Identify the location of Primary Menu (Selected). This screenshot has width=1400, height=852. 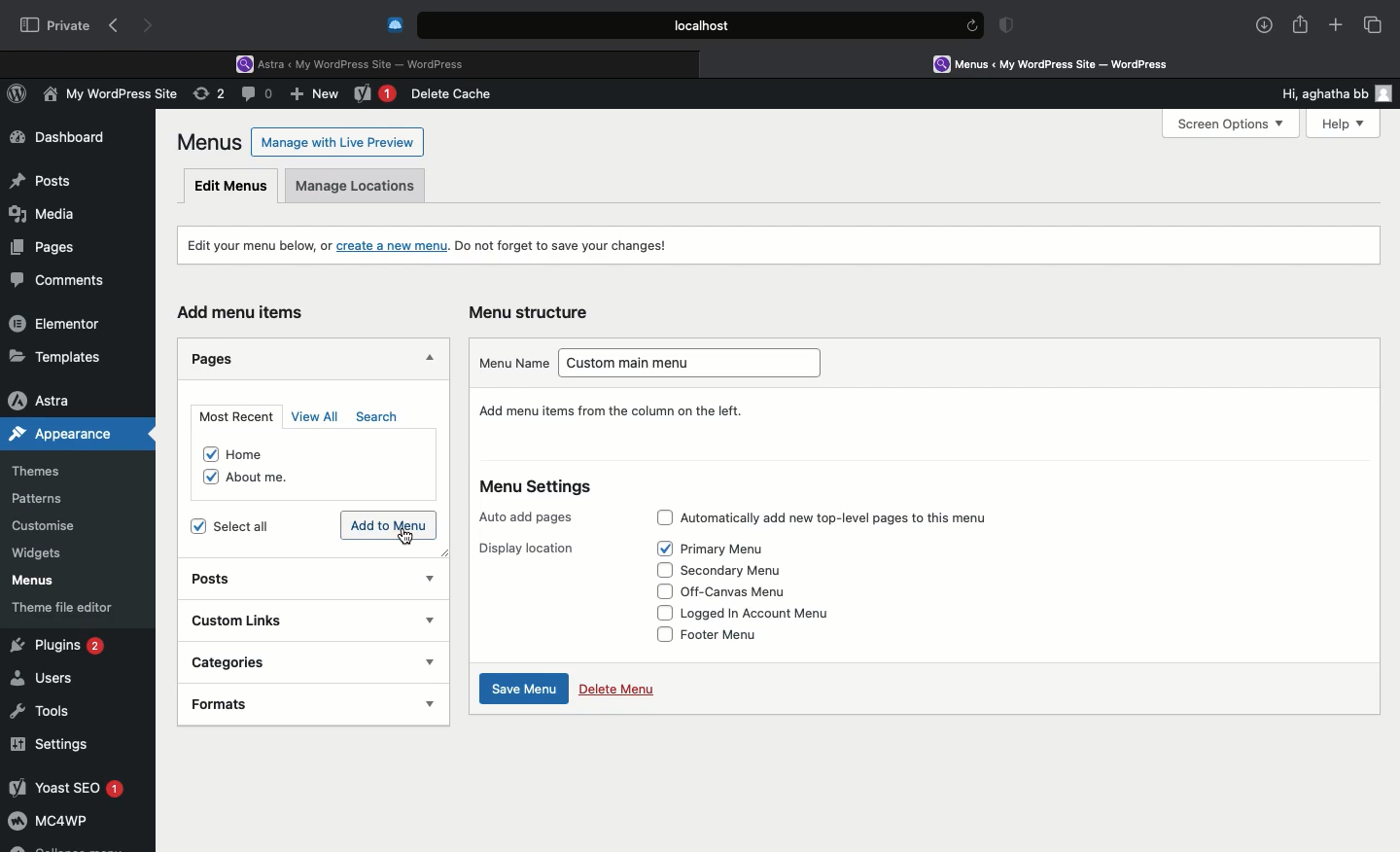
(739, 546).